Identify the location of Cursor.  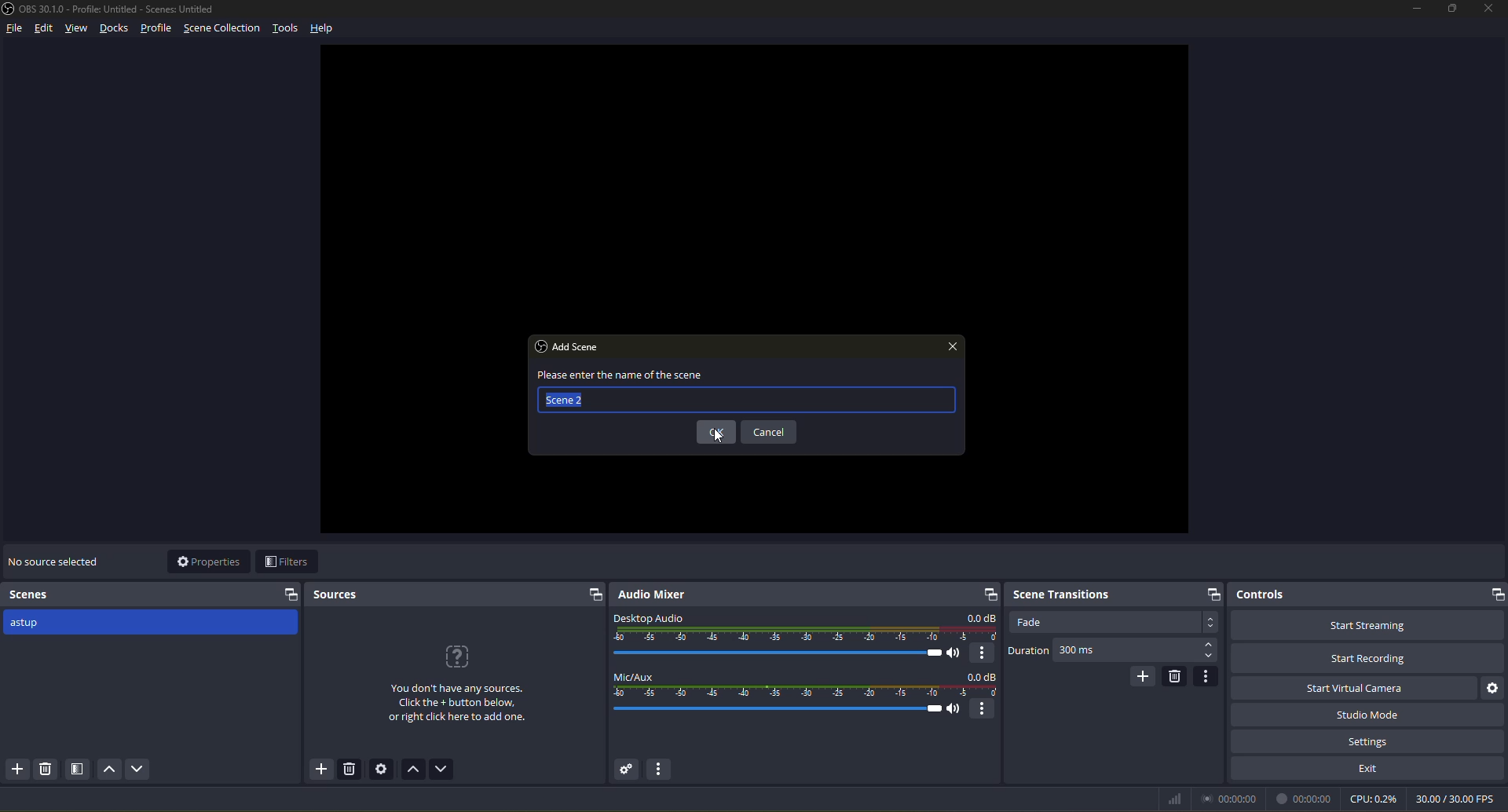
(718, 436).